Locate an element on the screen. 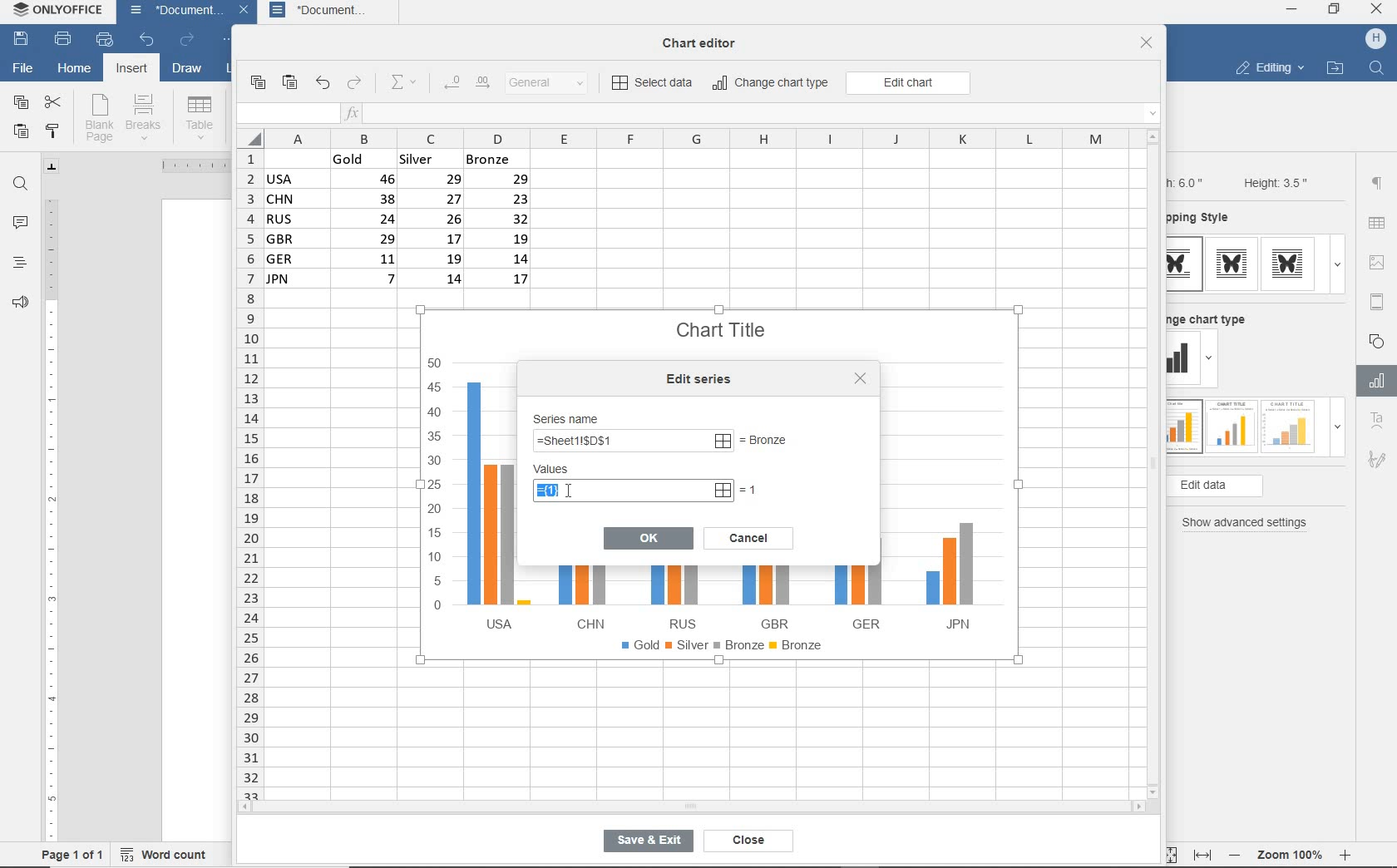 Image resolution: width=1397 pixels, height=868 pixels. edit data is located at coordinates (1242, 486).